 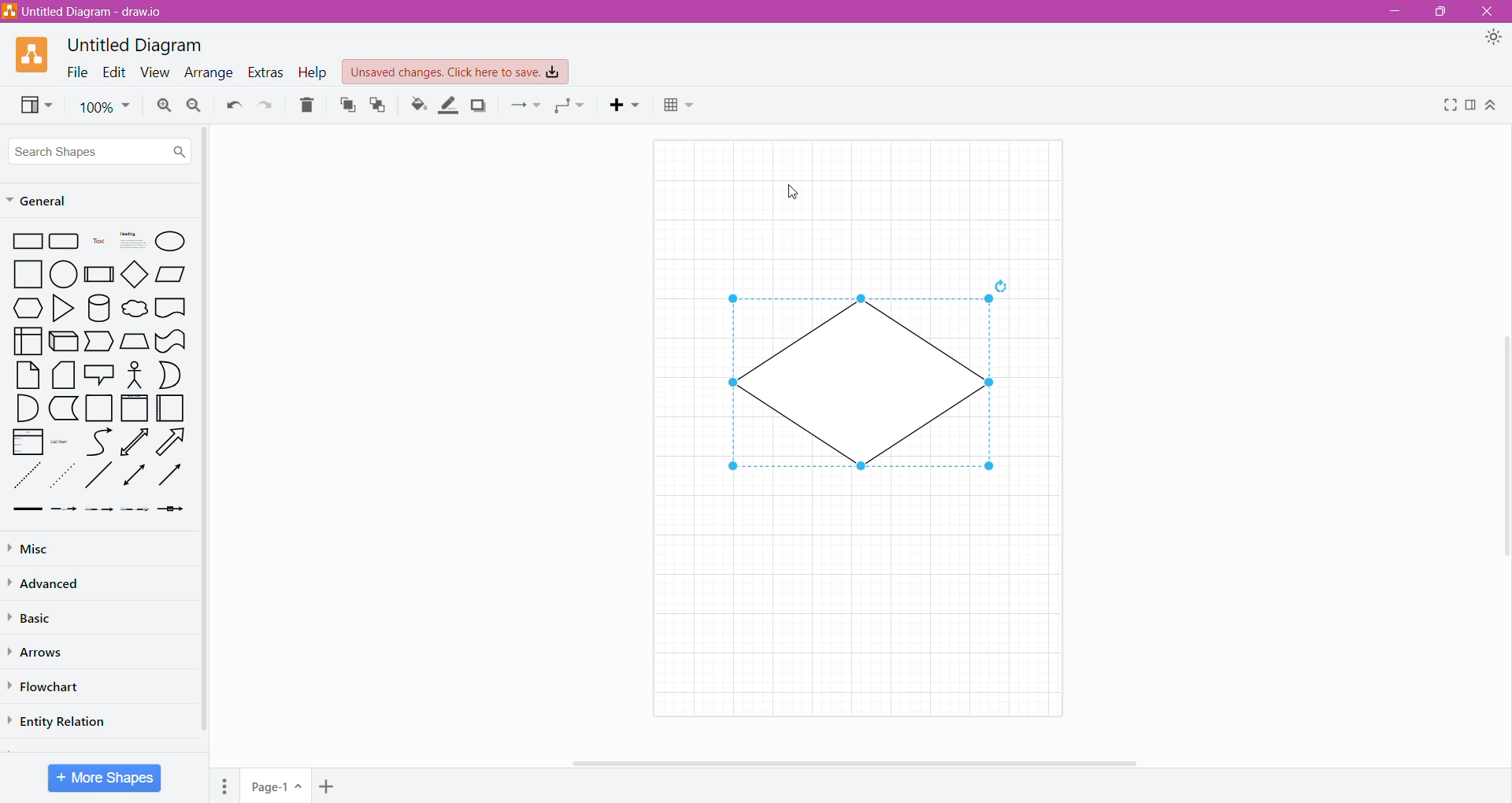 What do you see at coordinates (1492, 106) in the screenshot?
I see `Expand/Collapse` at bounding box center [1492, 106].